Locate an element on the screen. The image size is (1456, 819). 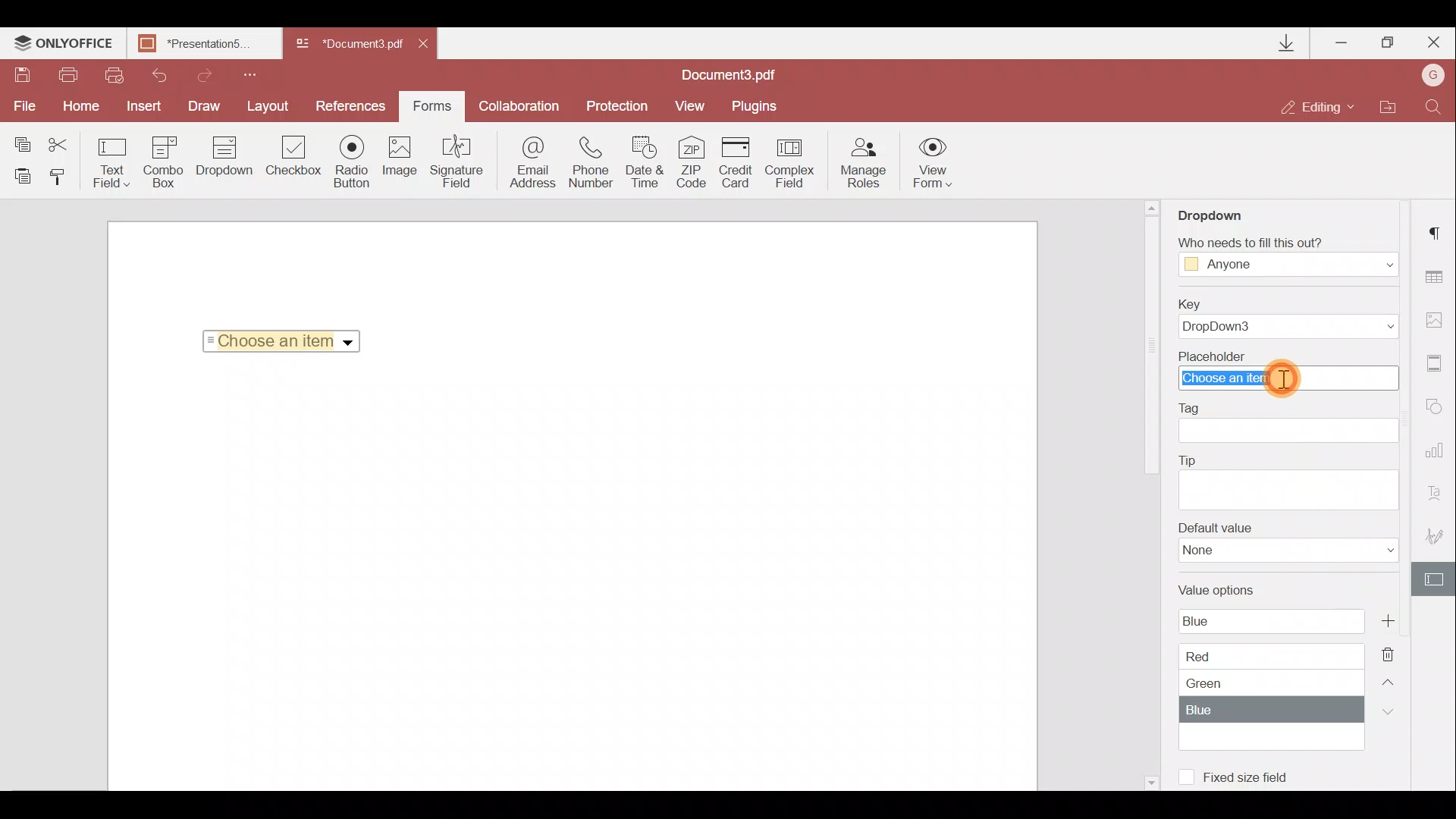
Save is located at coordinates (22, 75).